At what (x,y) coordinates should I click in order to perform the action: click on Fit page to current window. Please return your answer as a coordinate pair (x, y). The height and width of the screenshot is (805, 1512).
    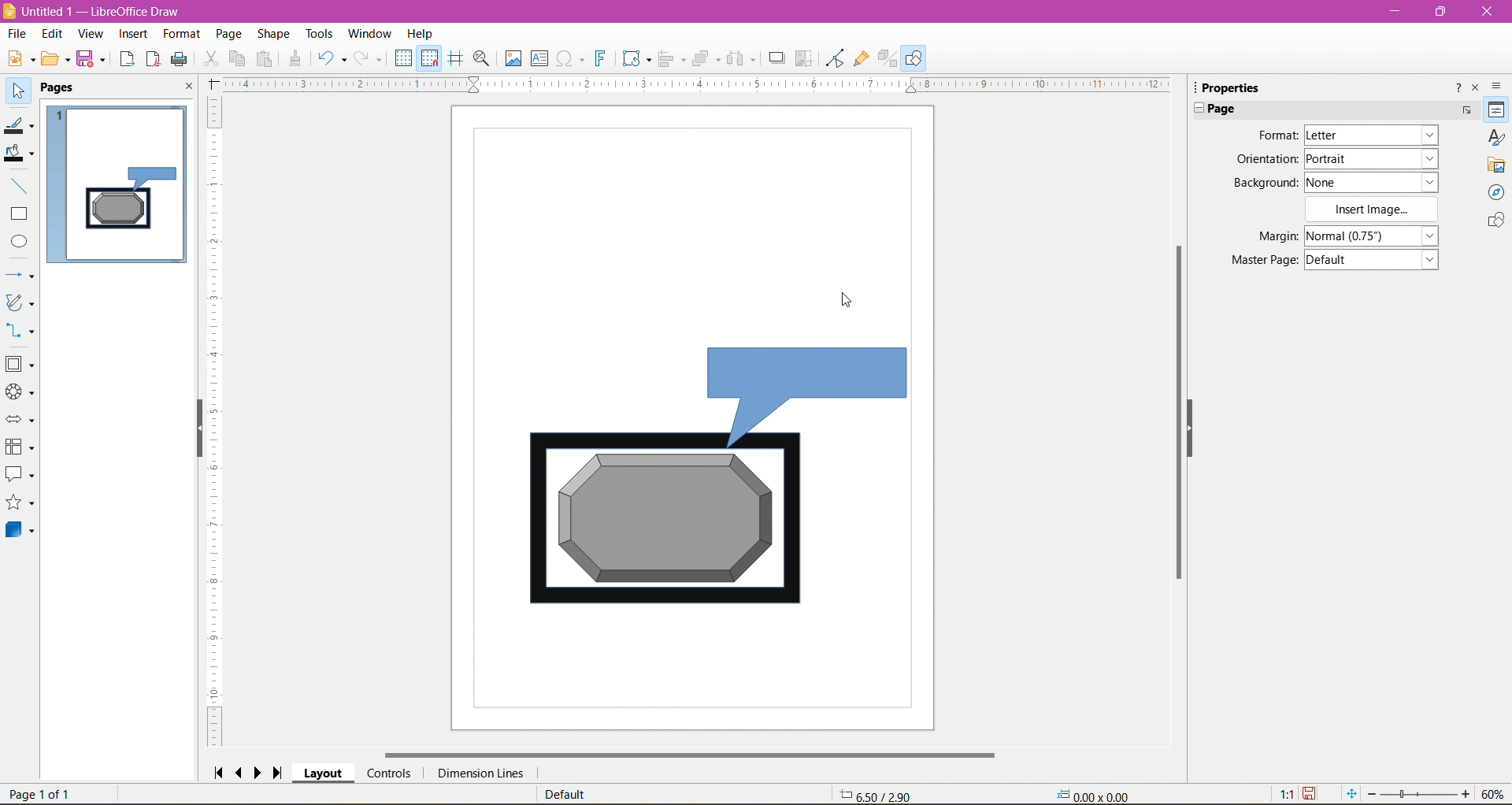
    Looking at the image, I should click on (1351, 794).